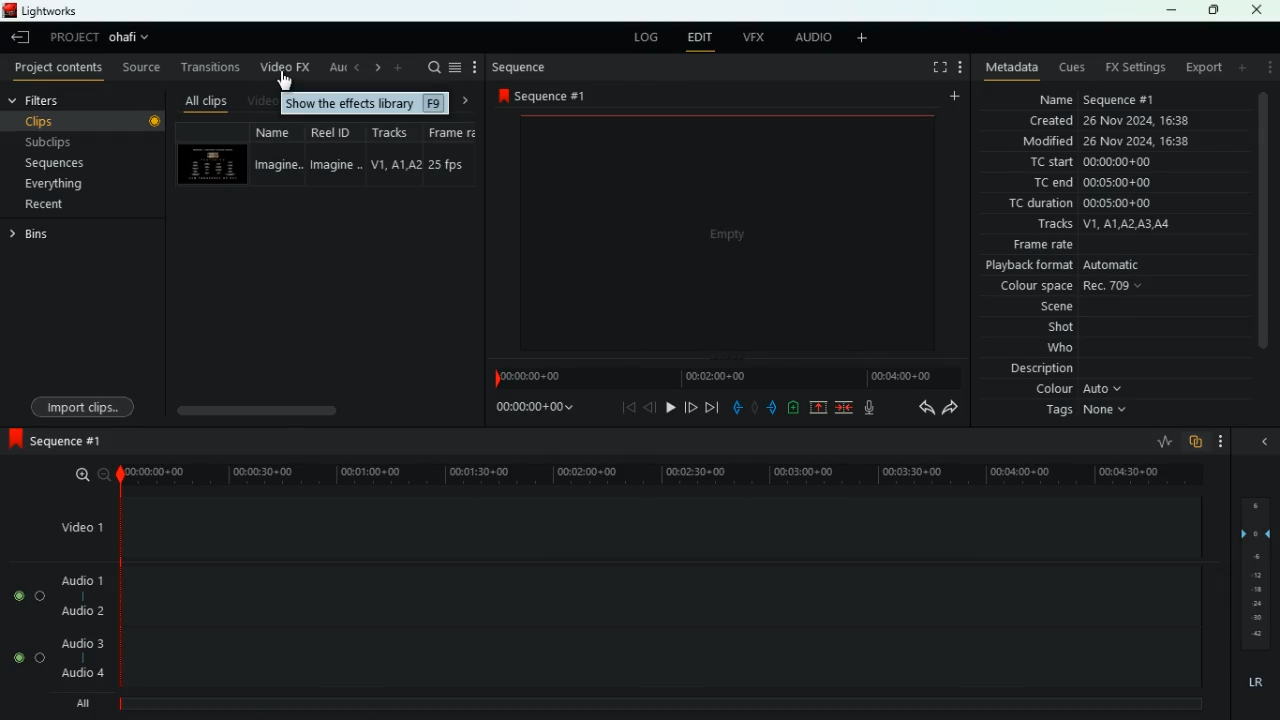 This screenshot has height=720, width=1280. What do you see at coordinates (1083, 392) in the screenshot?
I see `colour` at bounding box center [1083, 392].